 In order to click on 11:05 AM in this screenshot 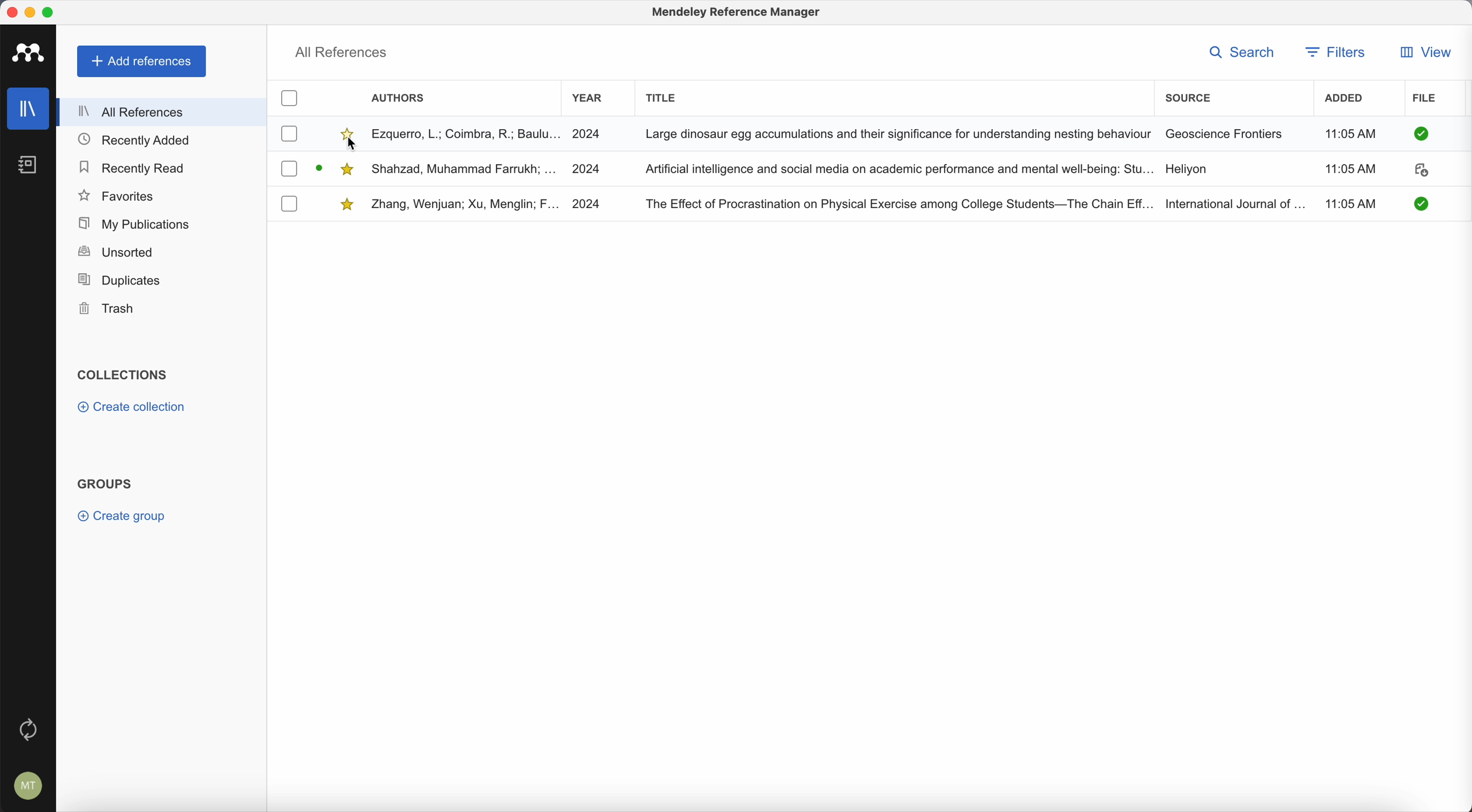, I will do `click(1354, 202)`.